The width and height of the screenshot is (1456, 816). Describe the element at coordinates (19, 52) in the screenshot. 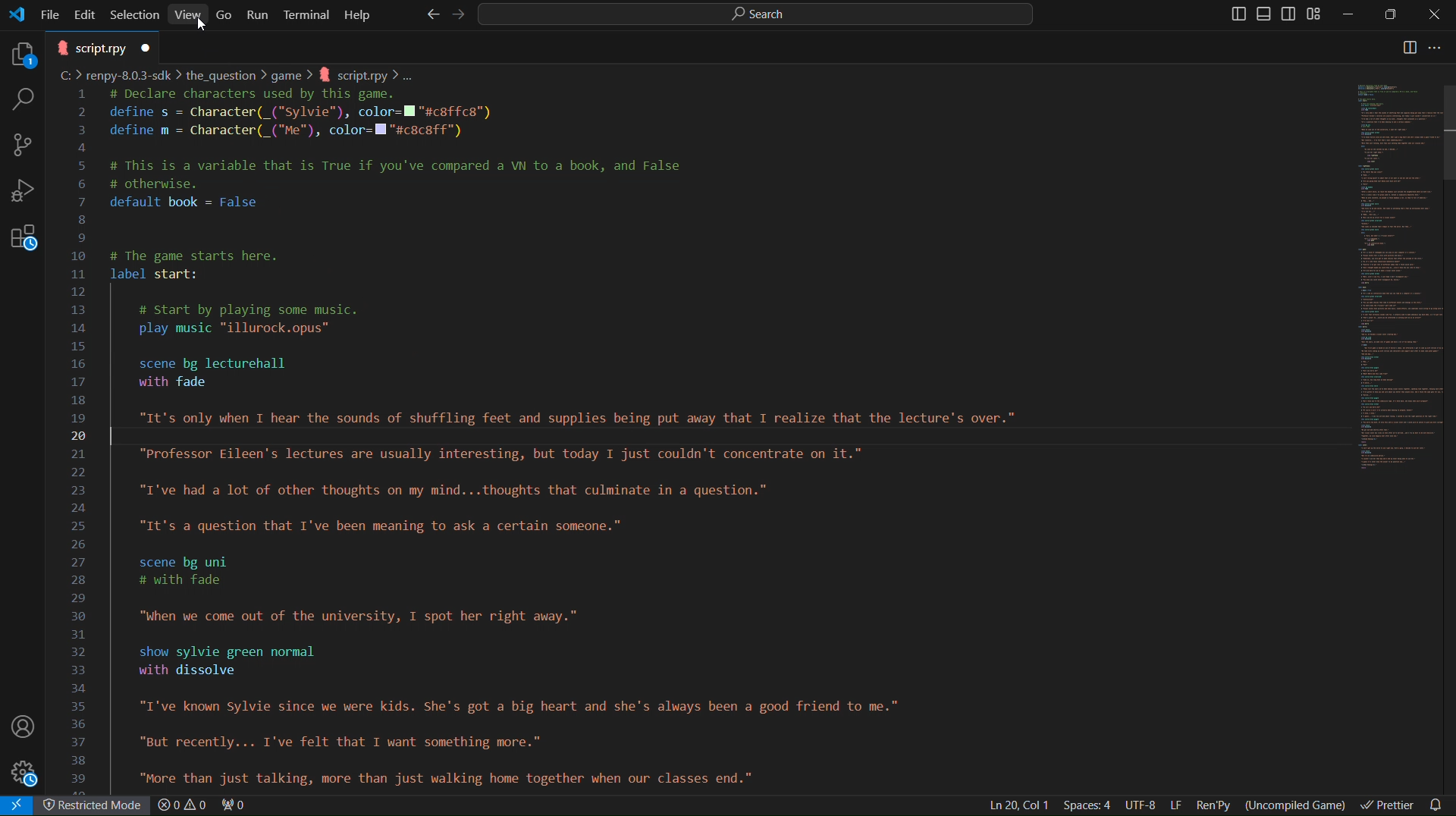

I see `Explorer` at that location.